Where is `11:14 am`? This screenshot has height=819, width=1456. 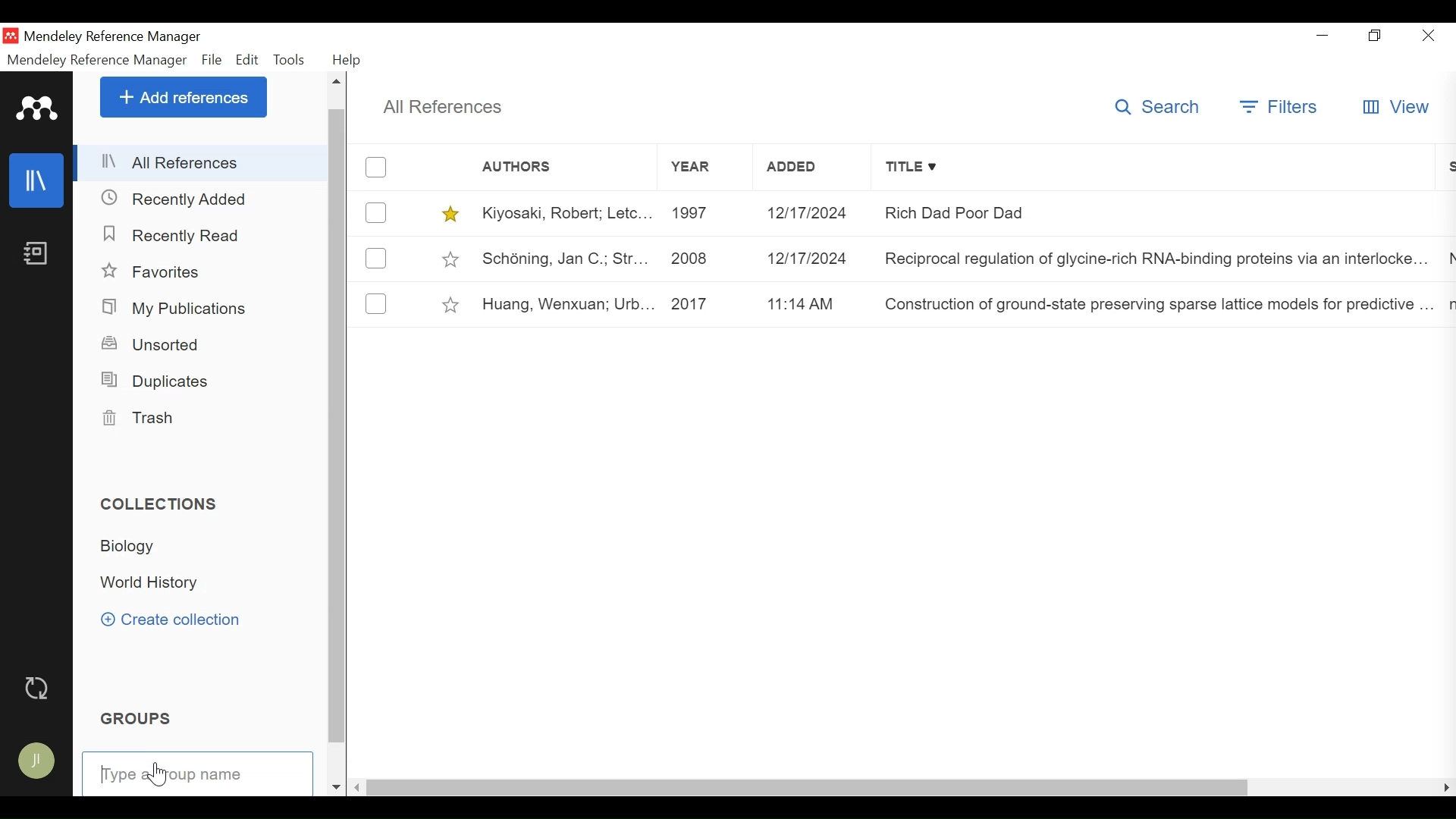
11:14 am is located at coordinates (813, 303).